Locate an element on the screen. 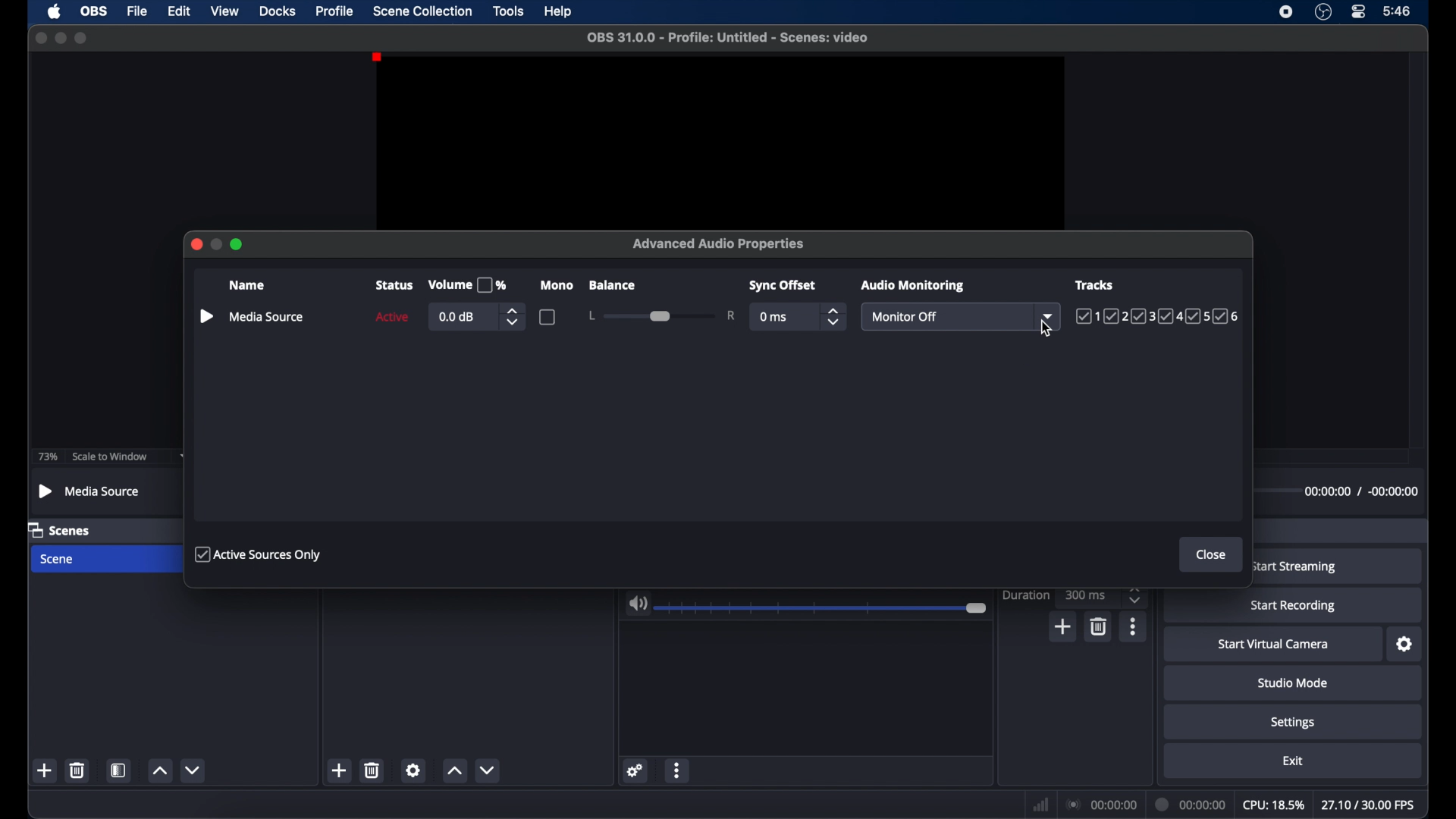 The width and height of the screenshot is (1456, 819). stepper buttons is located at coordinates (1134, 595).